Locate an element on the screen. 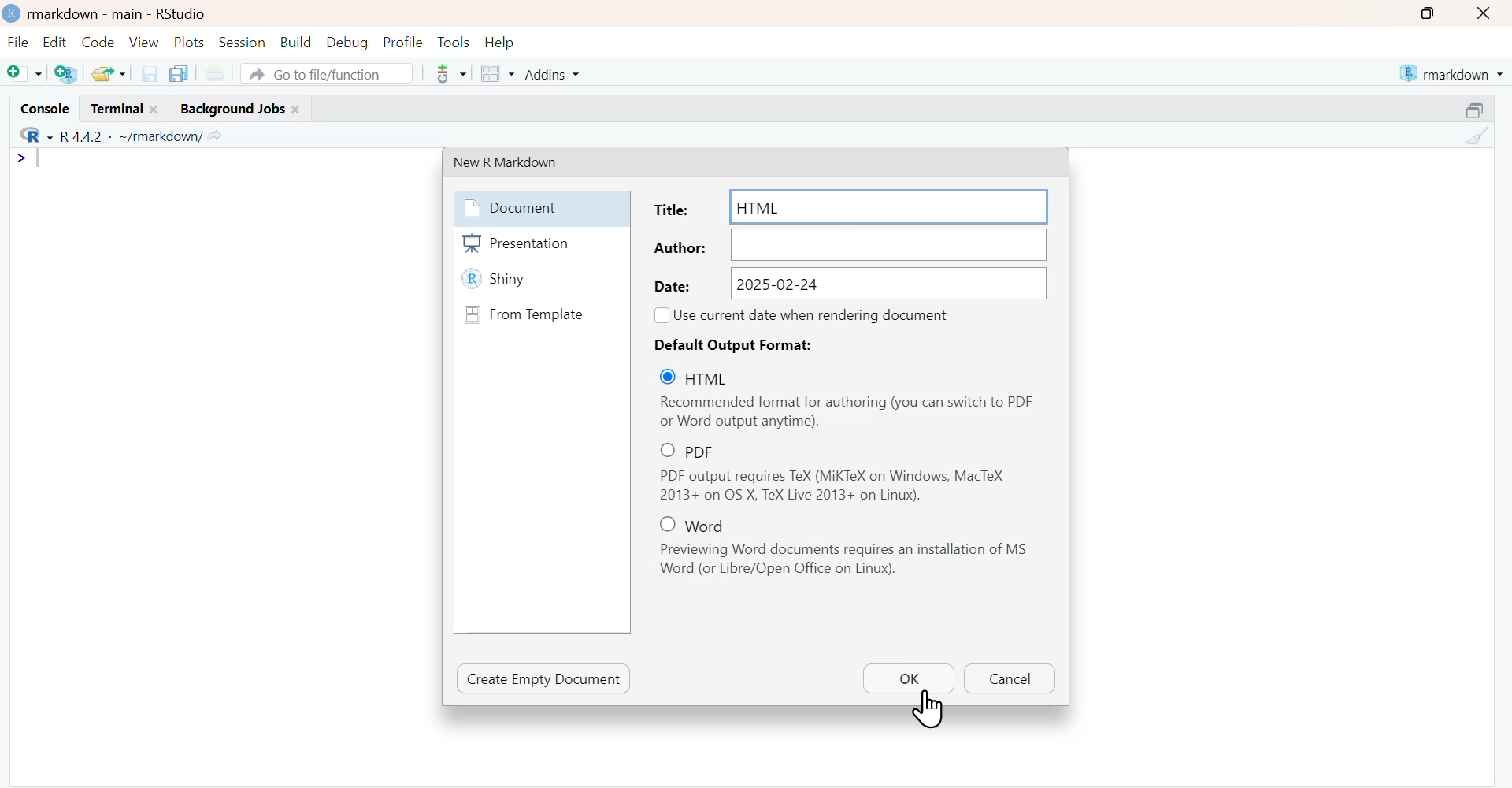 This screenshot has height=788, width=1512. Recommended format for authoring (you can switch to PD
or Word output anytime). is located at coordinates (847, 412).